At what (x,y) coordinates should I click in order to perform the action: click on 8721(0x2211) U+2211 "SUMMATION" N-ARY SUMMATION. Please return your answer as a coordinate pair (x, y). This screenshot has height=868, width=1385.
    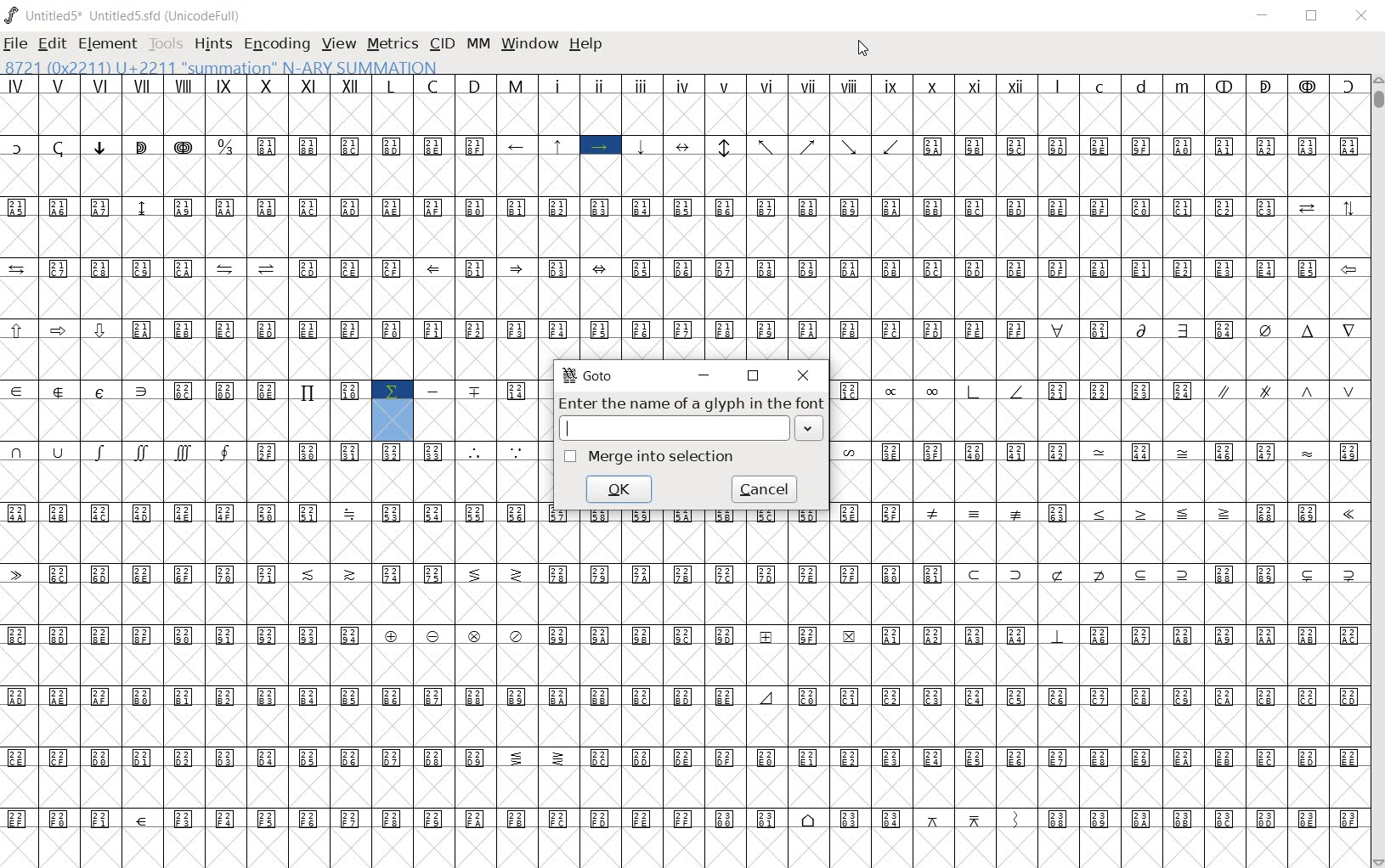
    Looking at the image, I should click on (225, 67).